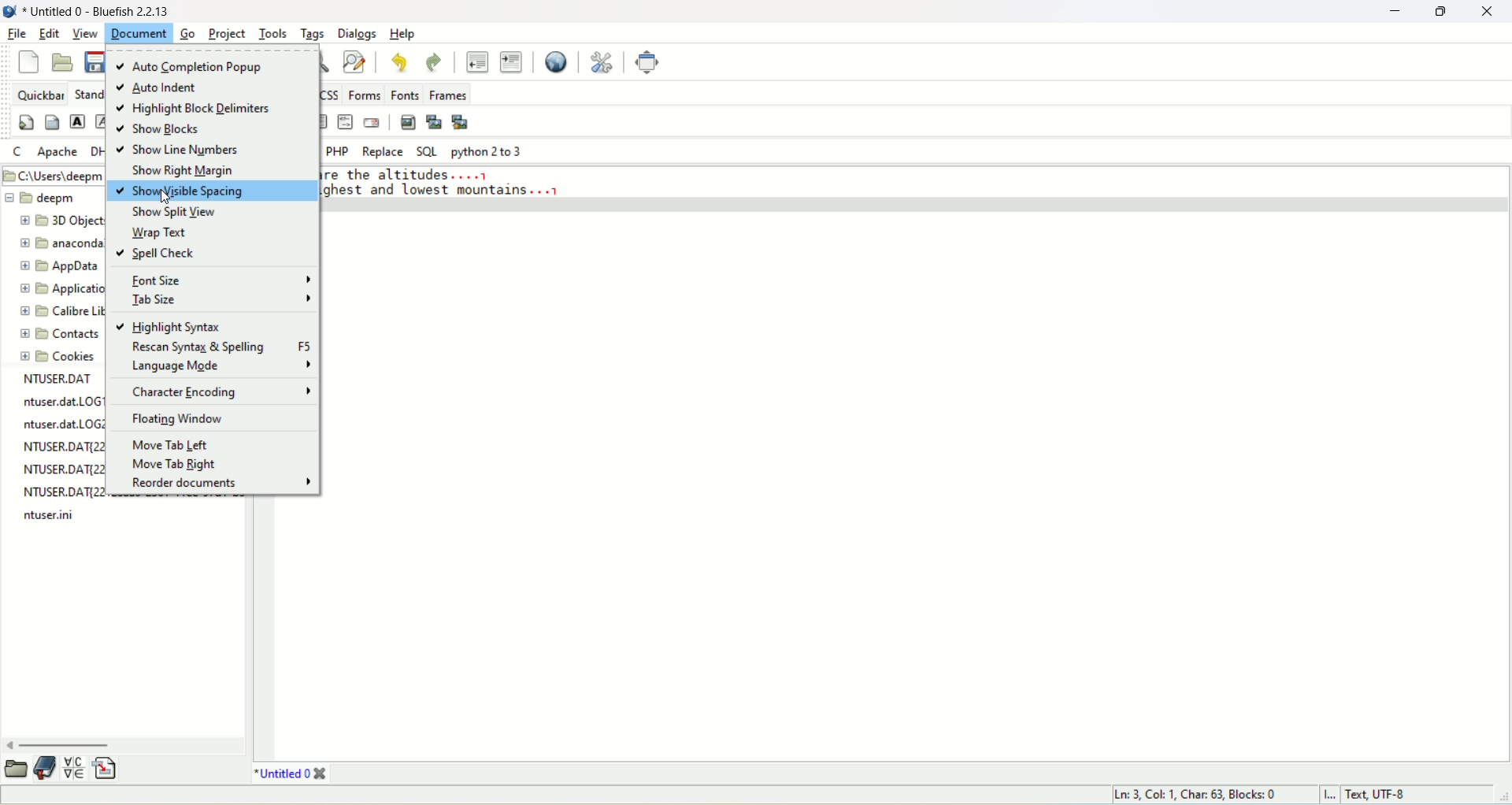 This screenshot has height=805, width=1512. What do you see at coordinates (432, 121) in the screenshot?
I see `insert thumbnail` at bounding box center [432, 121].